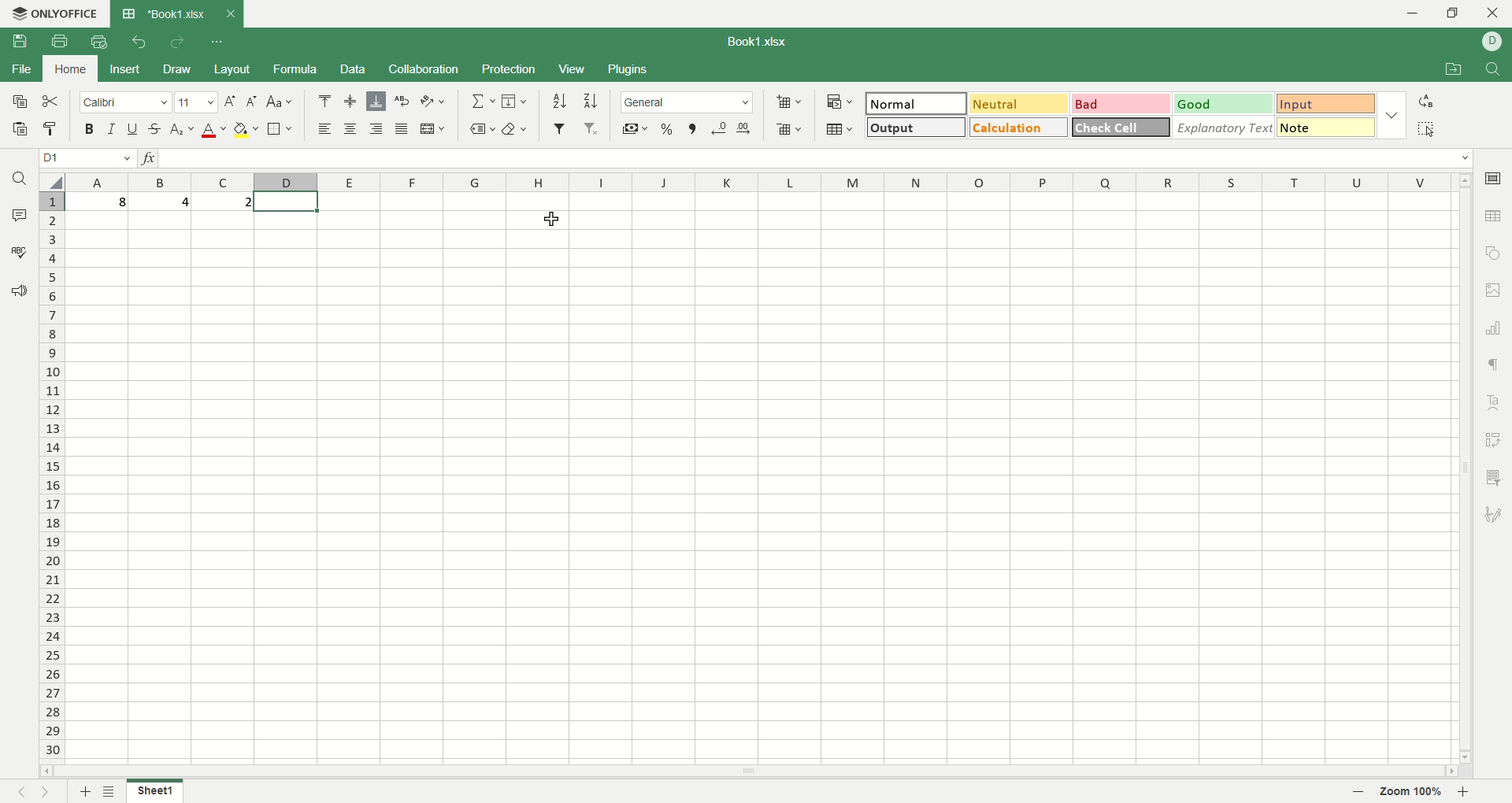 The height and width of the screenshot is (803, 1512). I want to click on cell settings, so click(1493, 177).